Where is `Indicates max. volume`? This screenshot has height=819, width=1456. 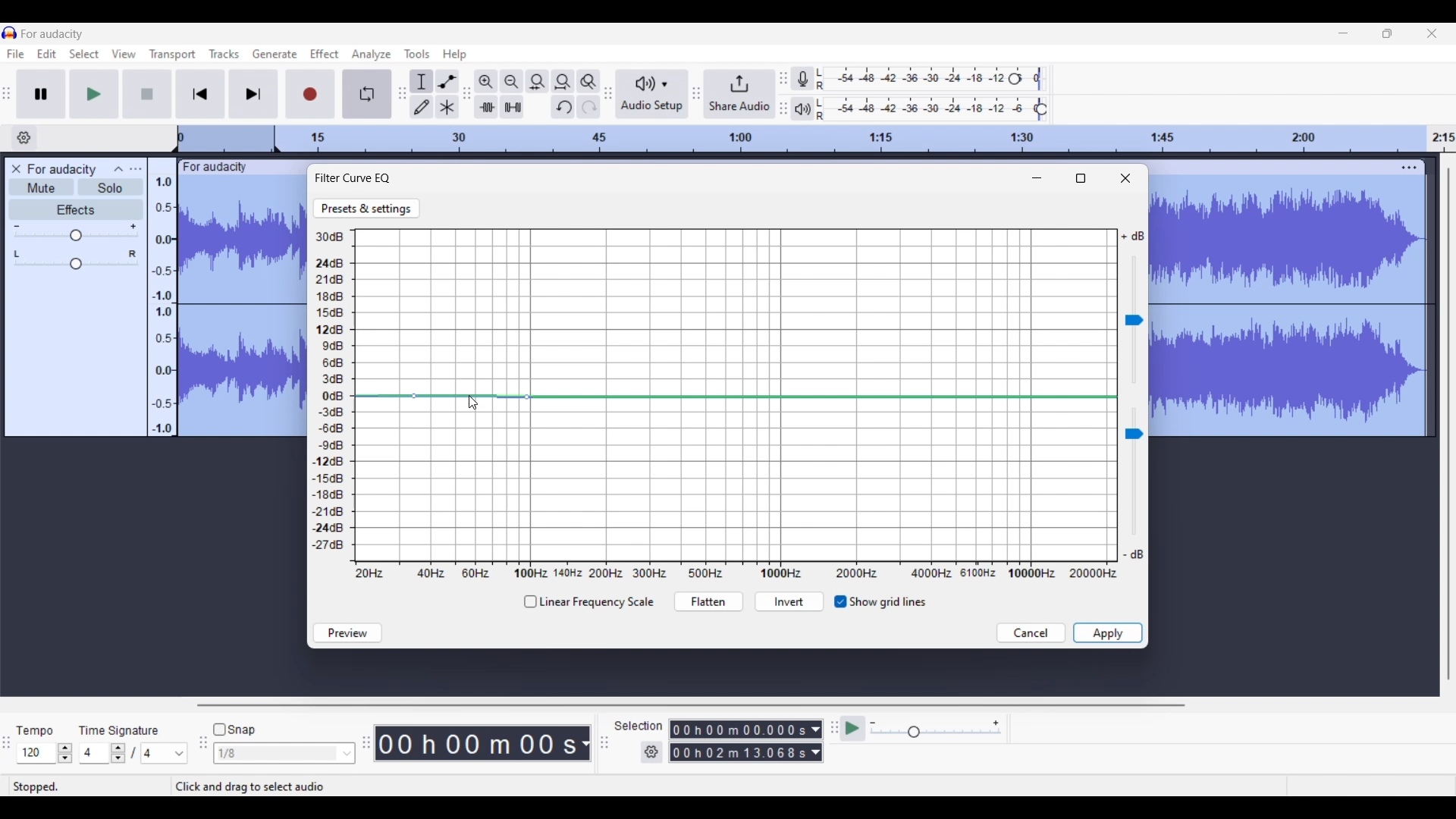
Indicates max. volume is located at coordinates (1132, 237).